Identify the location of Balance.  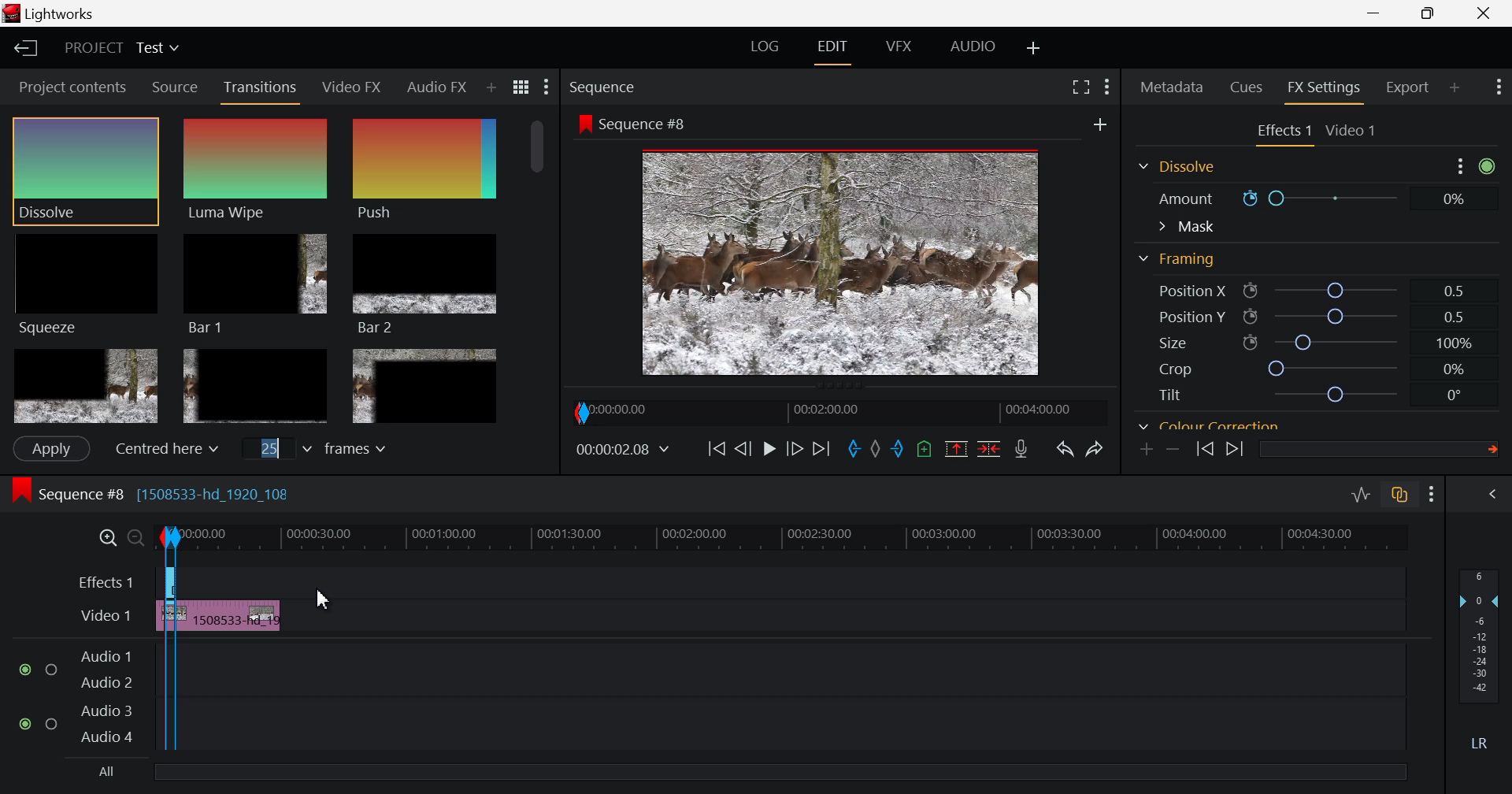
(1185, 368).